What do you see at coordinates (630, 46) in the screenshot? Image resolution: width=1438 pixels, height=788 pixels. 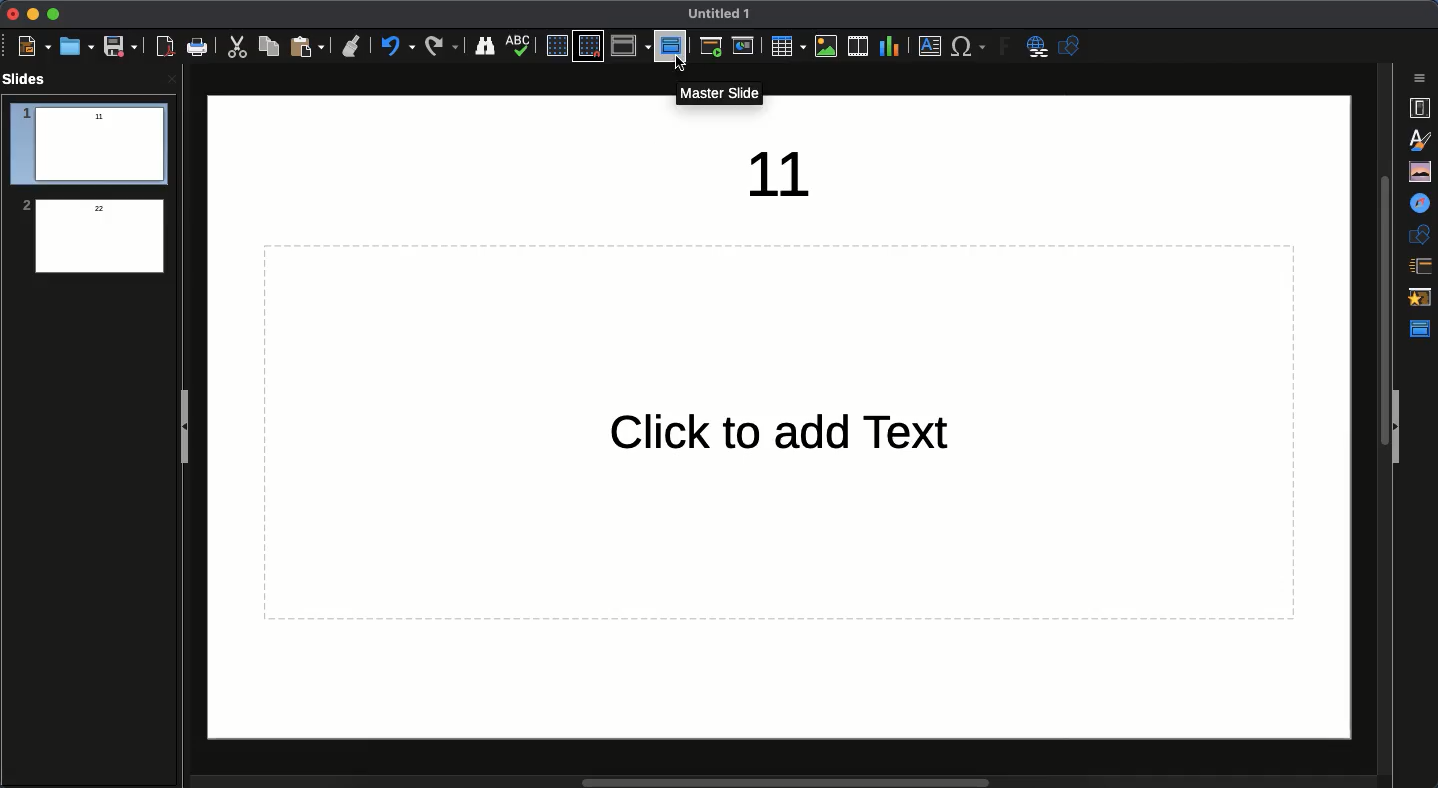 I see `Display view` at bounding box center [630, 46].